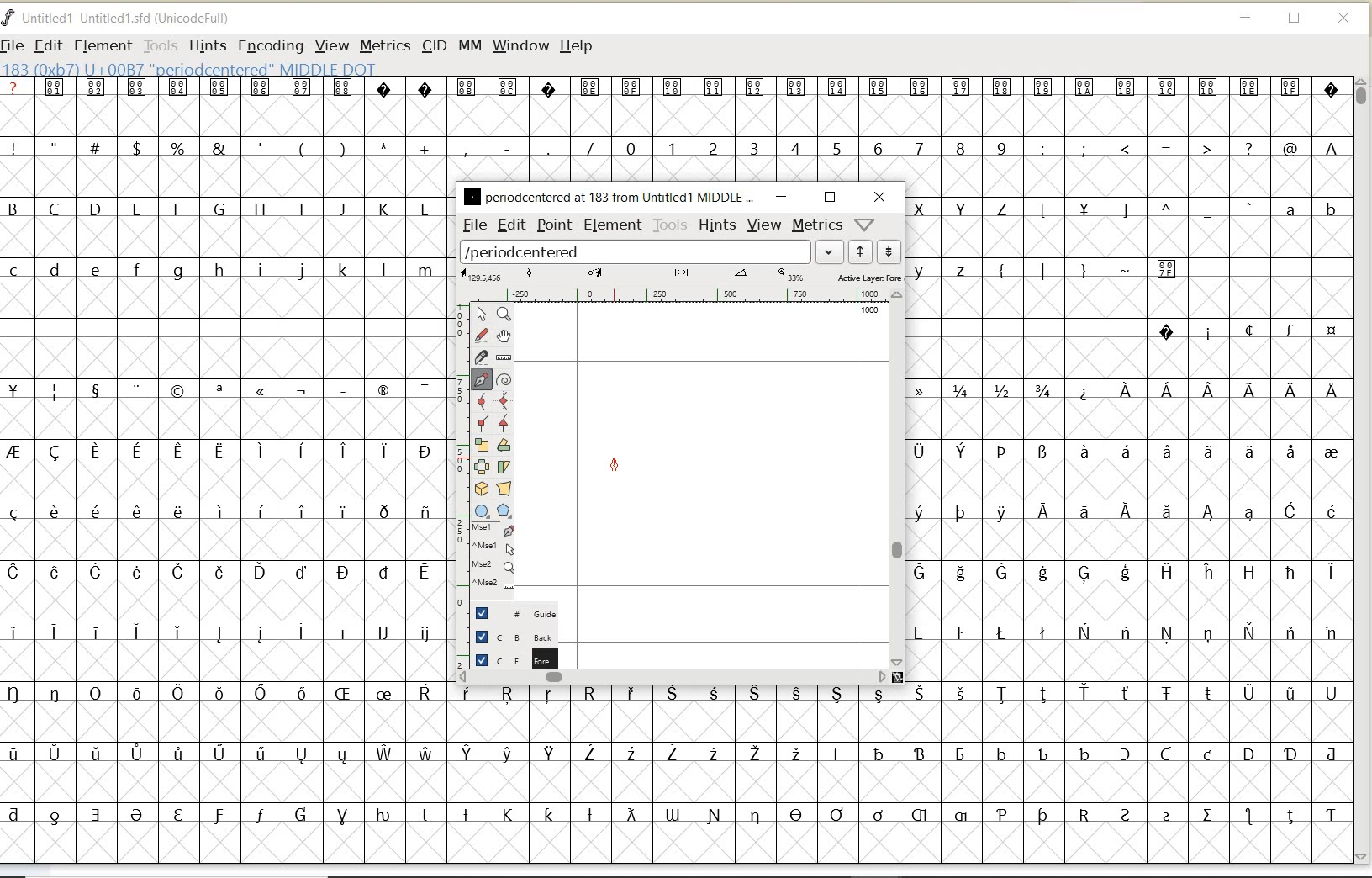 The width and height of the screenshot is (1372, 878). I want to click on polygon or star, so click(506, 511).